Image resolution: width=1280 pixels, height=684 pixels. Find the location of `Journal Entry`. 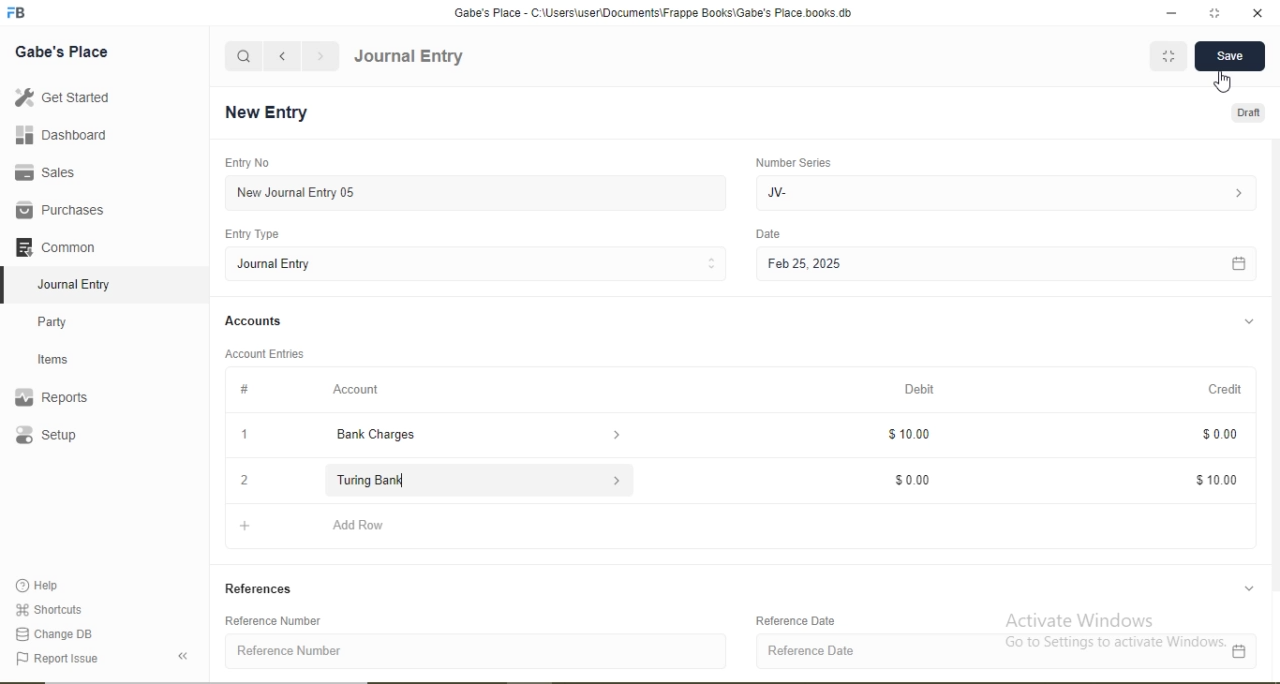

Journal Entry is located at coordinates (80, 282).